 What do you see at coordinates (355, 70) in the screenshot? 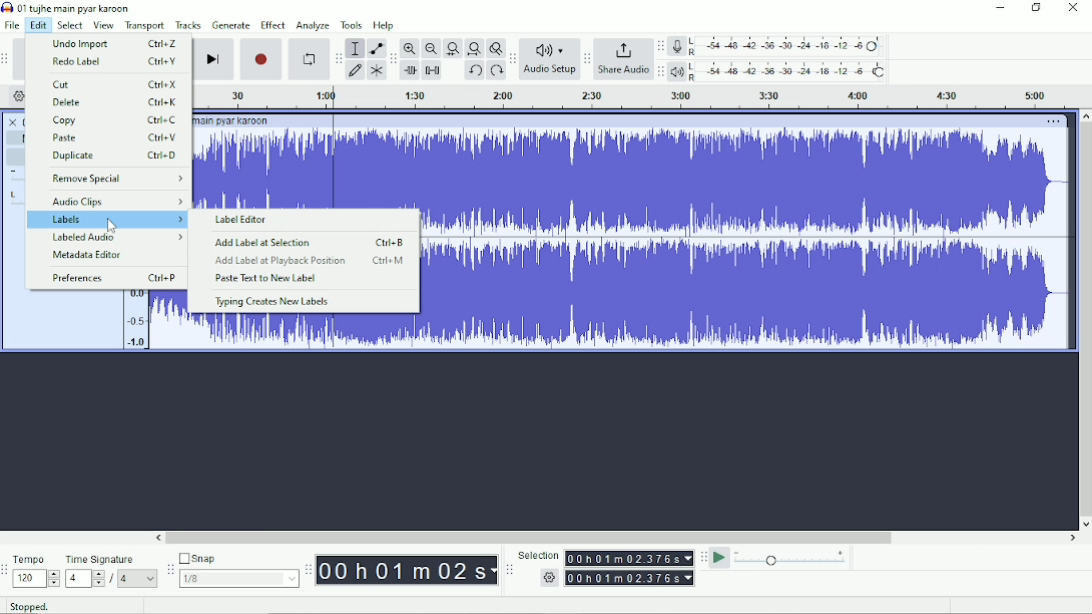
I see `Draw tool` at bounding box center [355, 70].